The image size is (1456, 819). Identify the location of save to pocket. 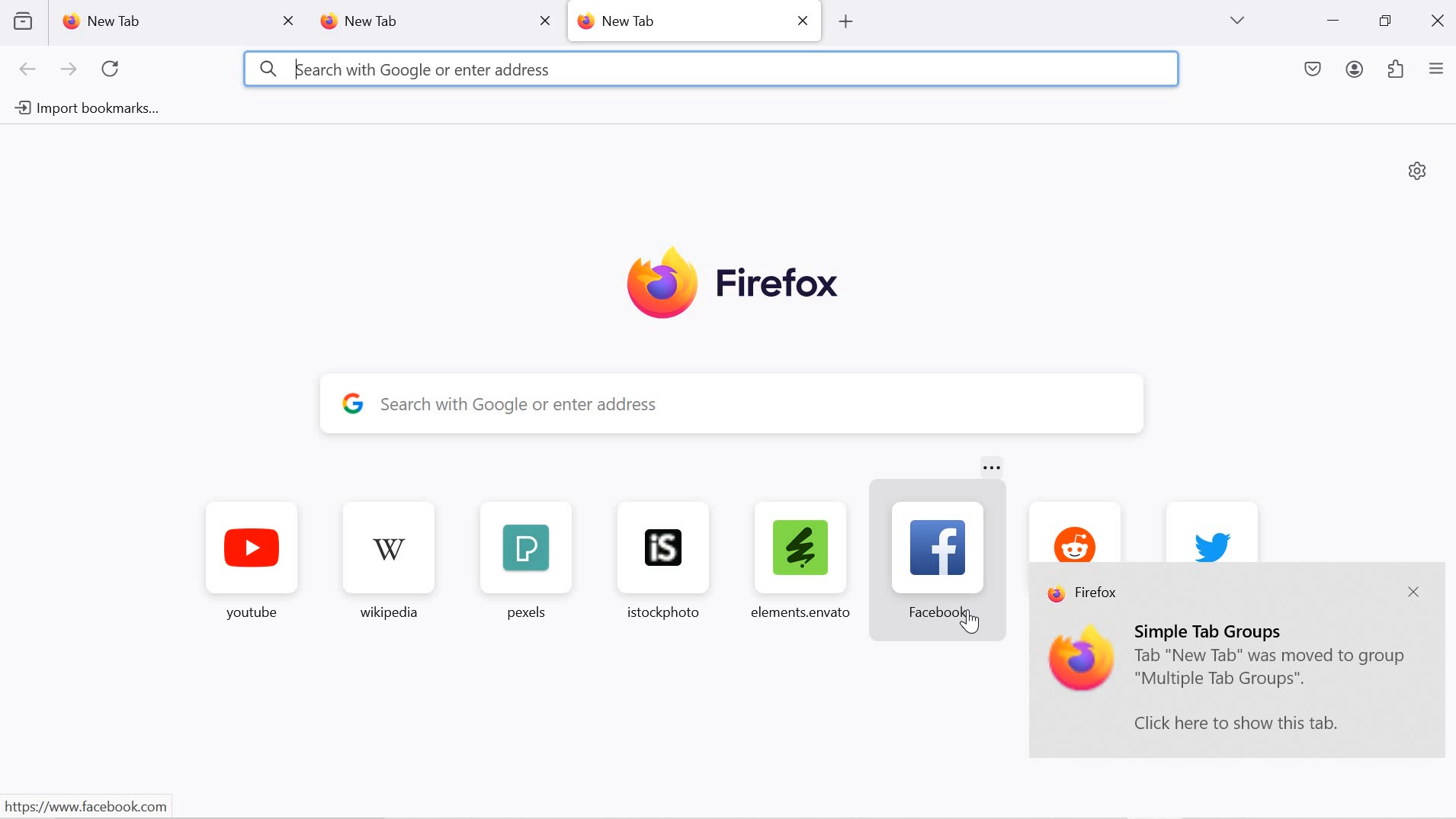
(1314, 71).